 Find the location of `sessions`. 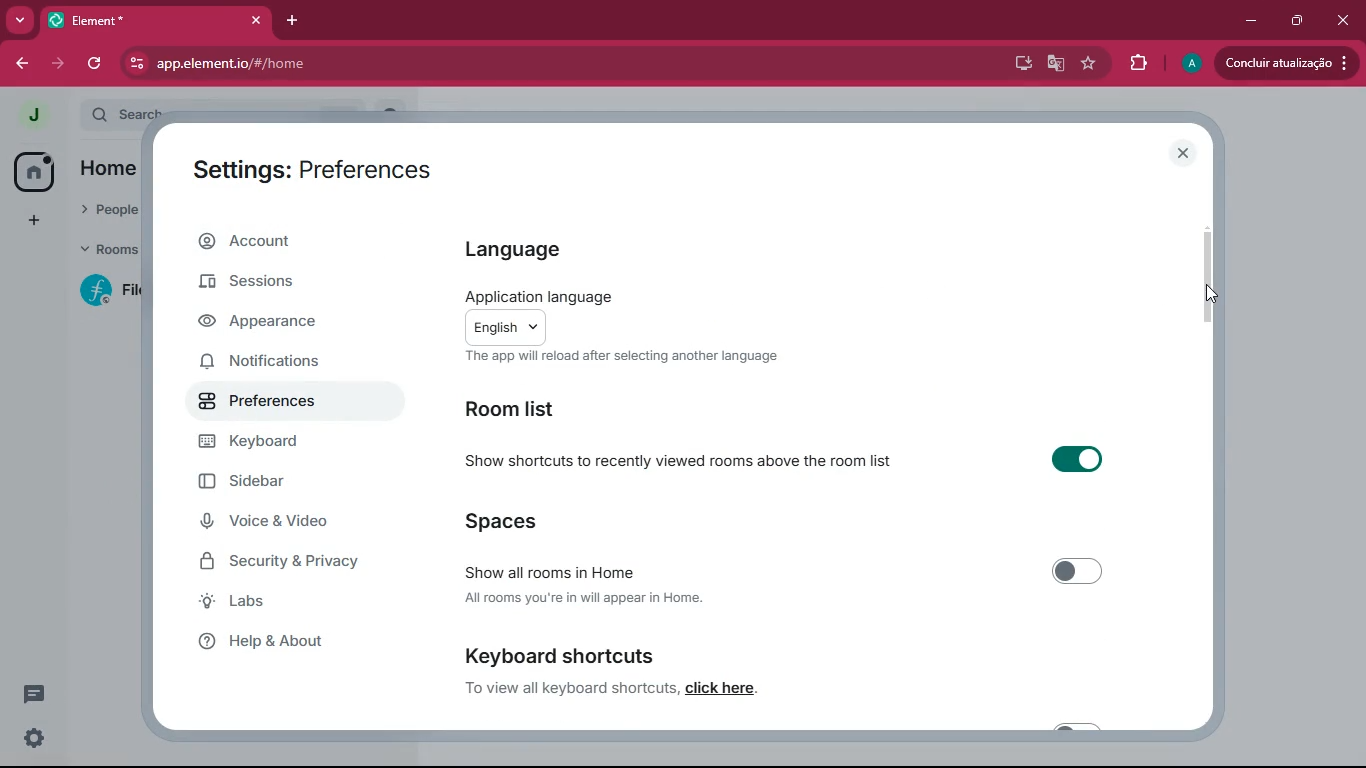

sessions is located at coordinates (272, 284).